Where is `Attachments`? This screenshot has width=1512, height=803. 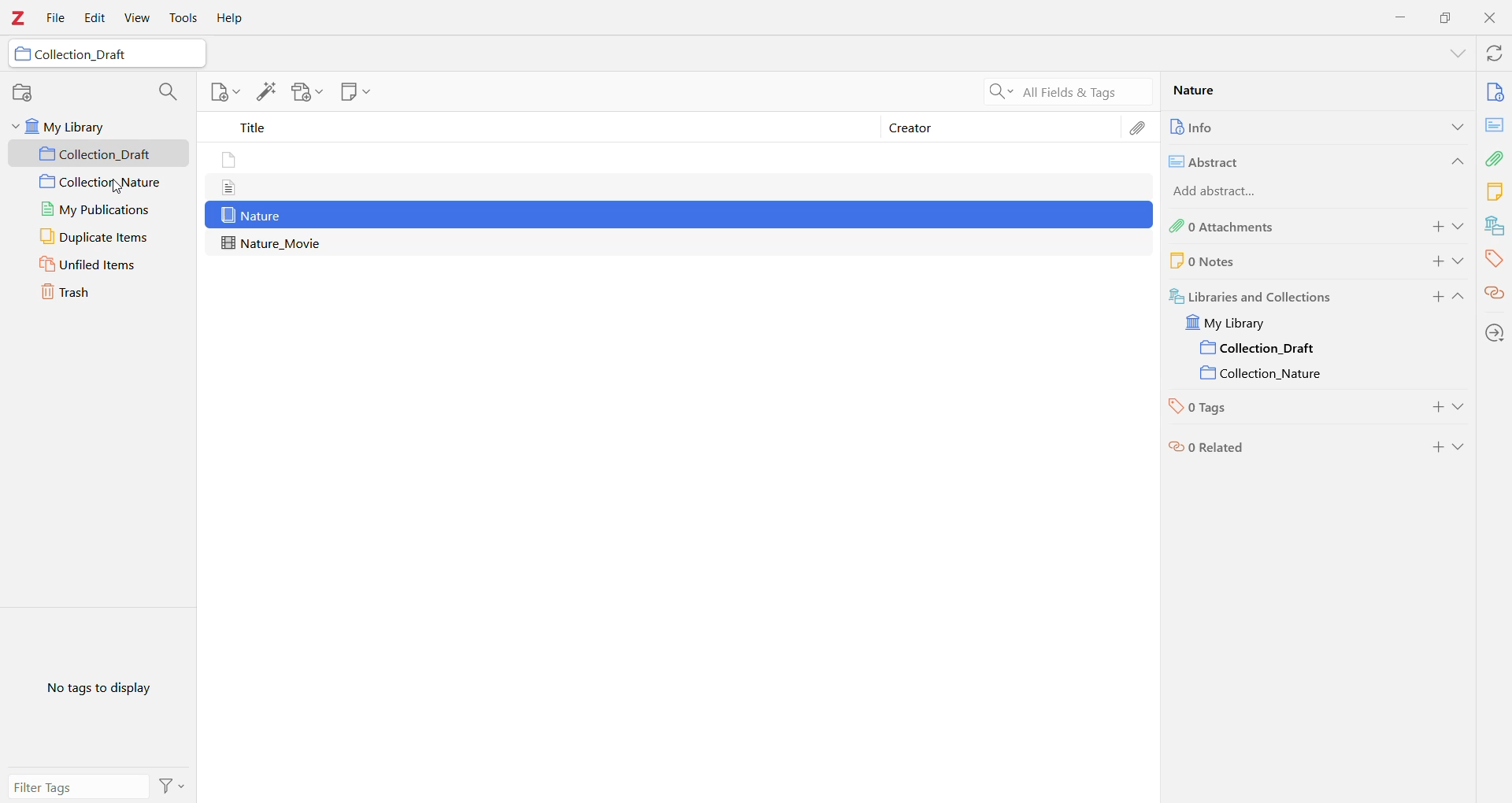
Attachments is located at coordinates (1496, 157).